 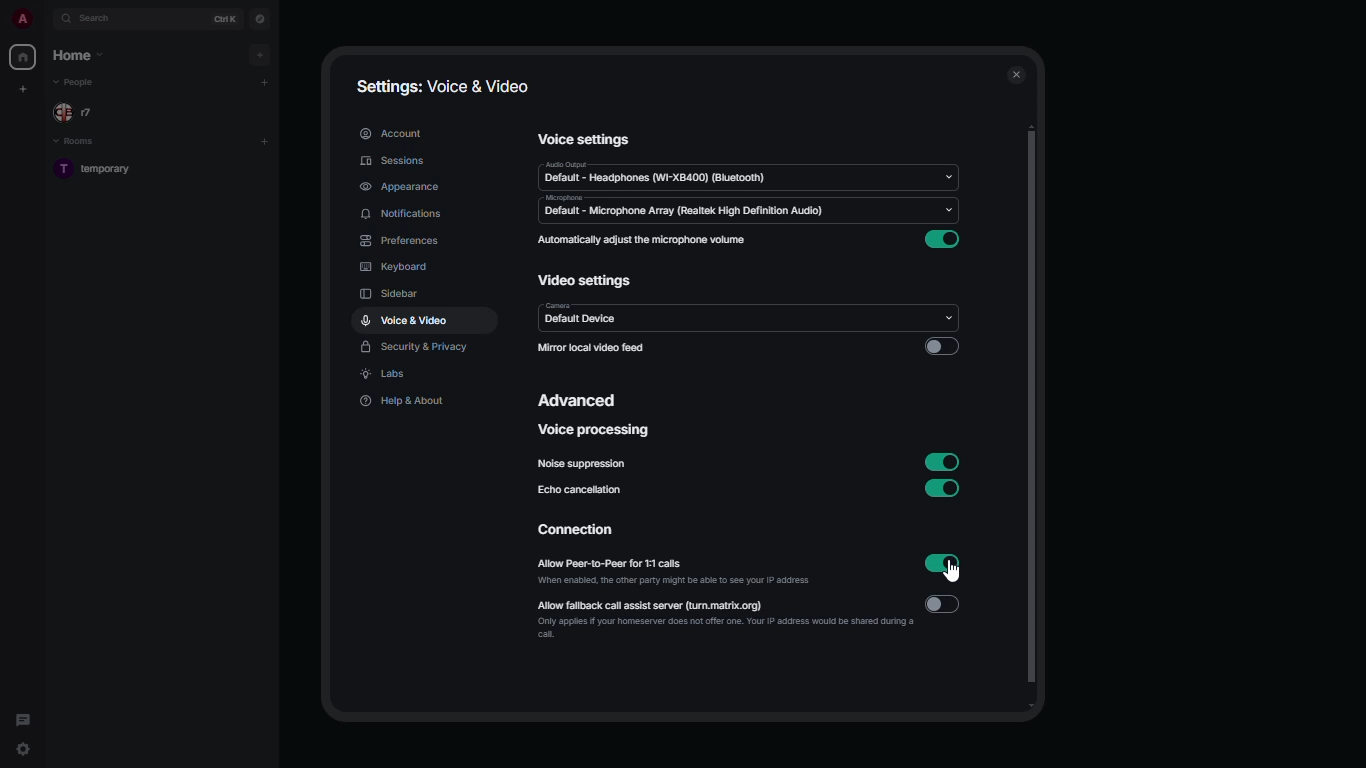 I want to click on home, so click(x=24, y=55).